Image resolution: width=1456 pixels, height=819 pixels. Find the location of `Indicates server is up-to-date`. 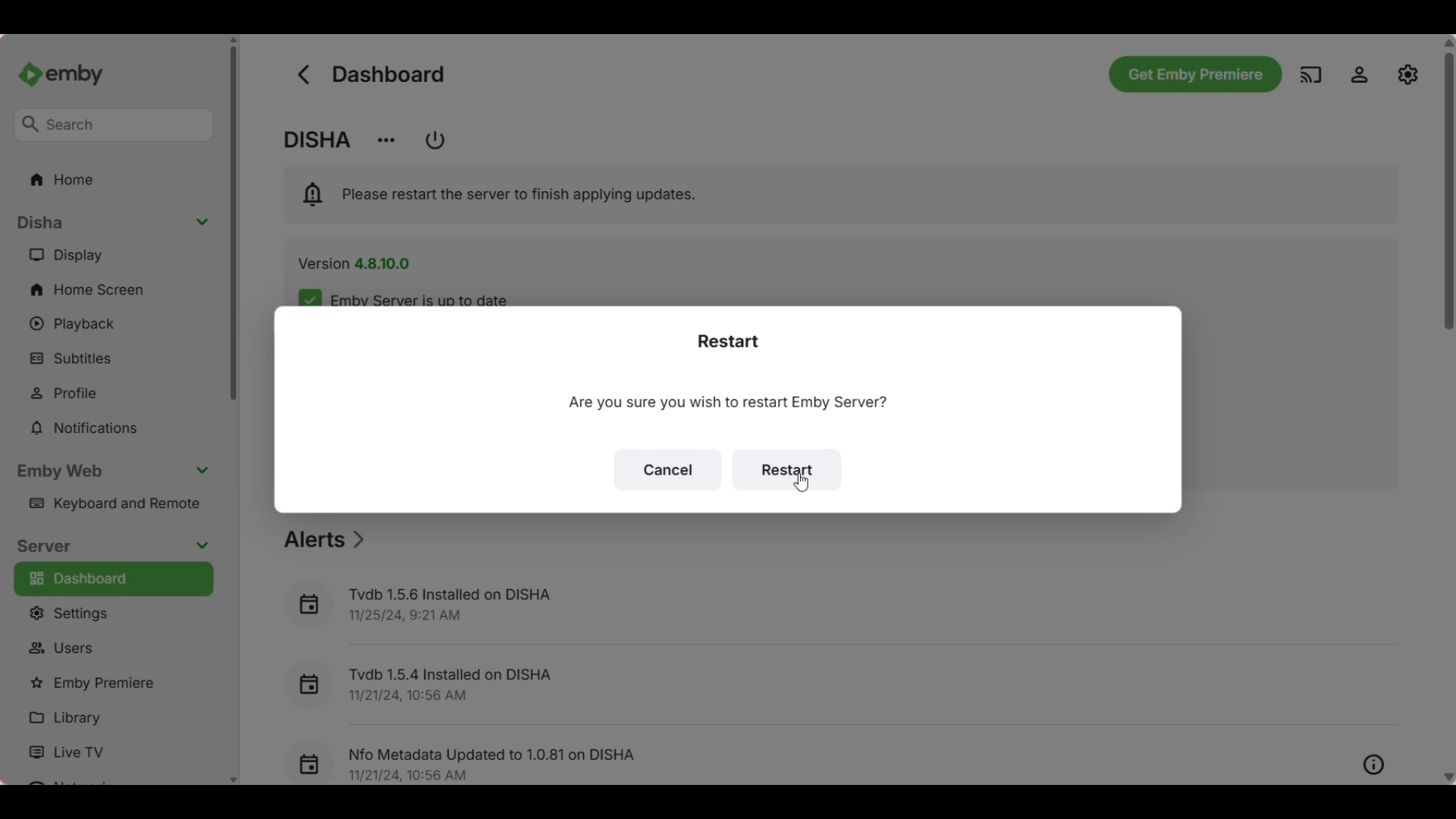

Indicates server is up-to-date is located at coordinates (403, 297).